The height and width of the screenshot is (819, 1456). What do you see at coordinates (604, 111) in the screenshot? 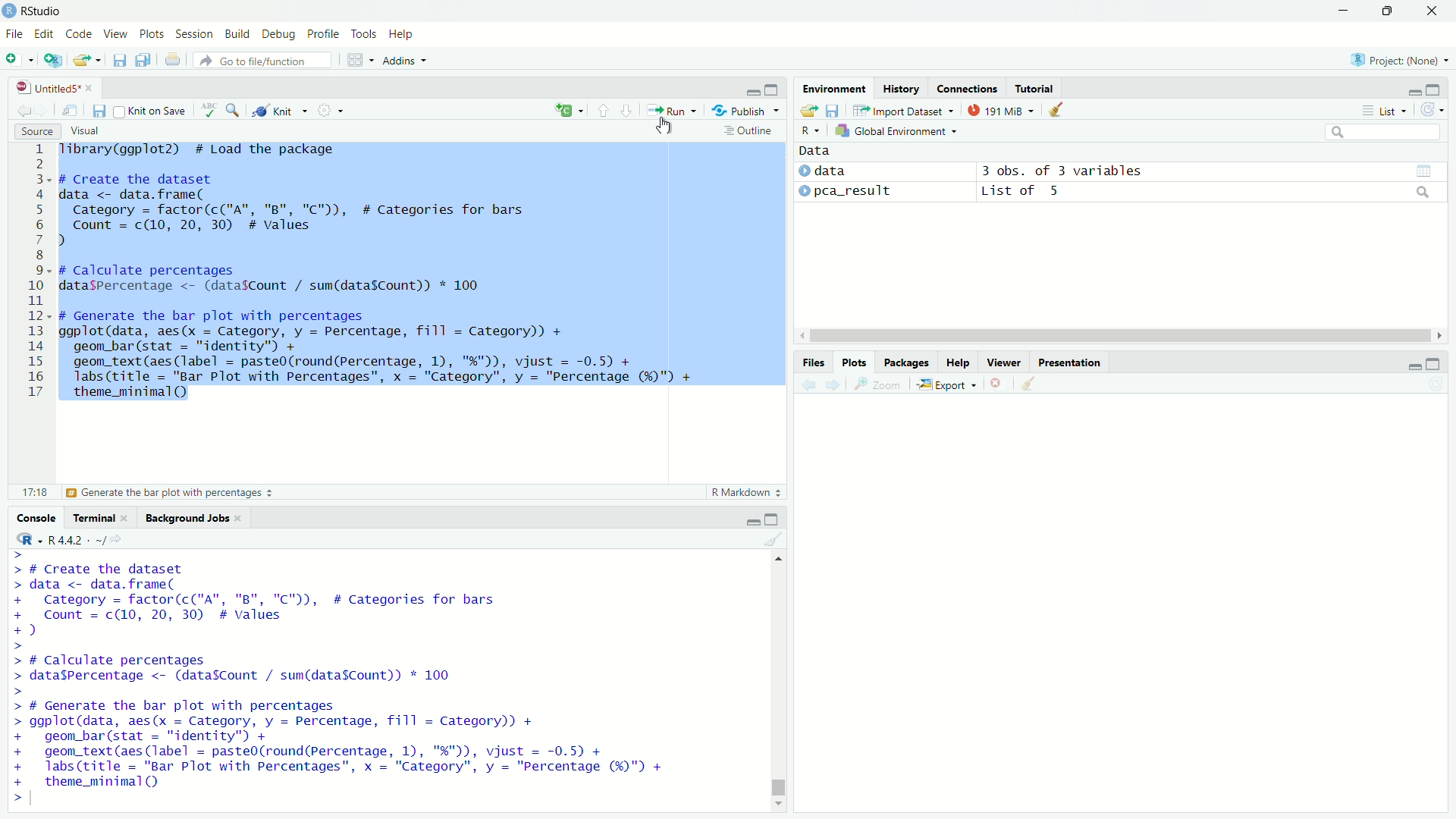
I see `go to previous section ` at bounding box center [604, 111].